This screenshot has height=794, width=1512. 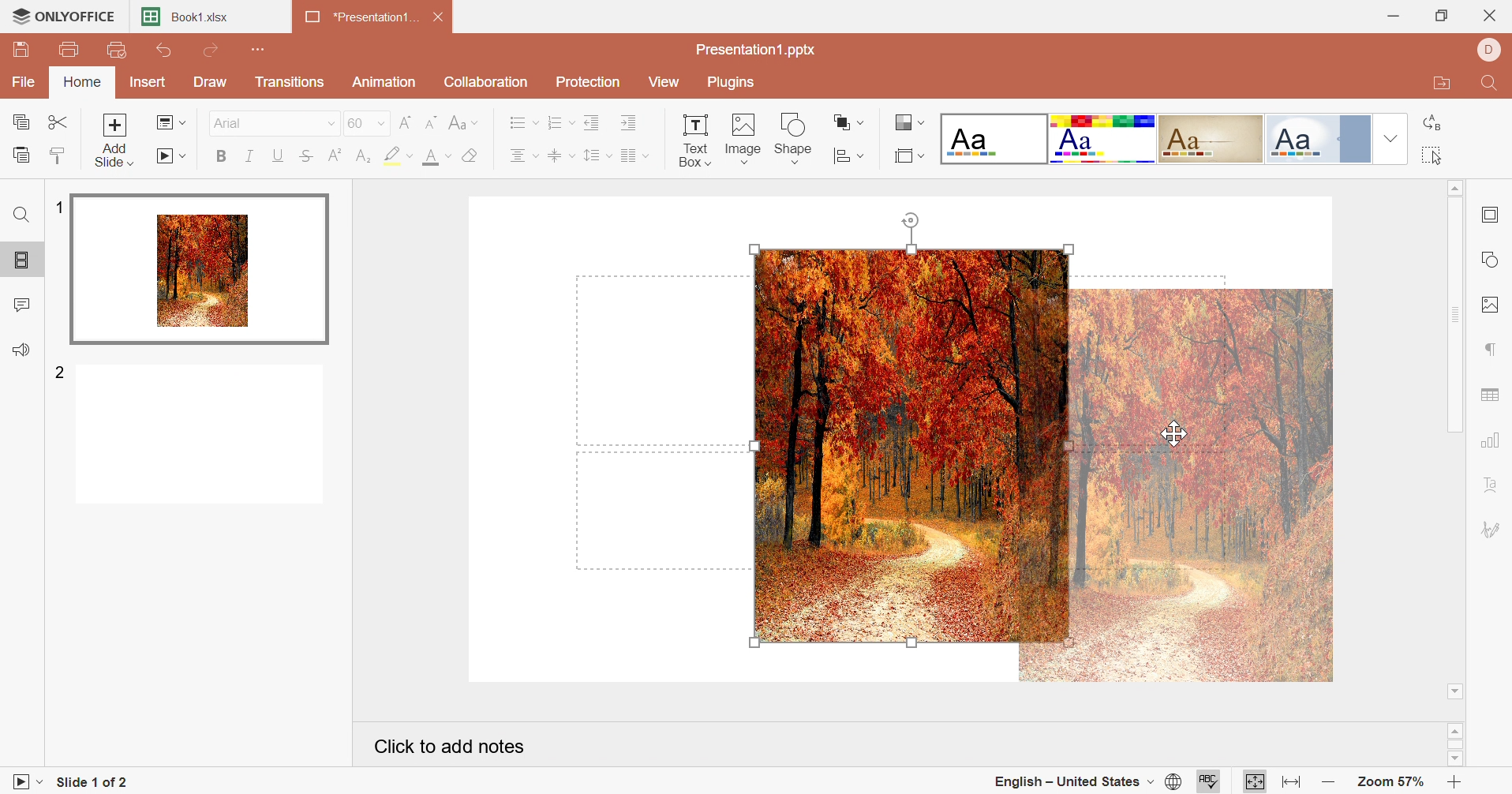 I want to click on Zoom 57%, so click(x=1387, y=781).